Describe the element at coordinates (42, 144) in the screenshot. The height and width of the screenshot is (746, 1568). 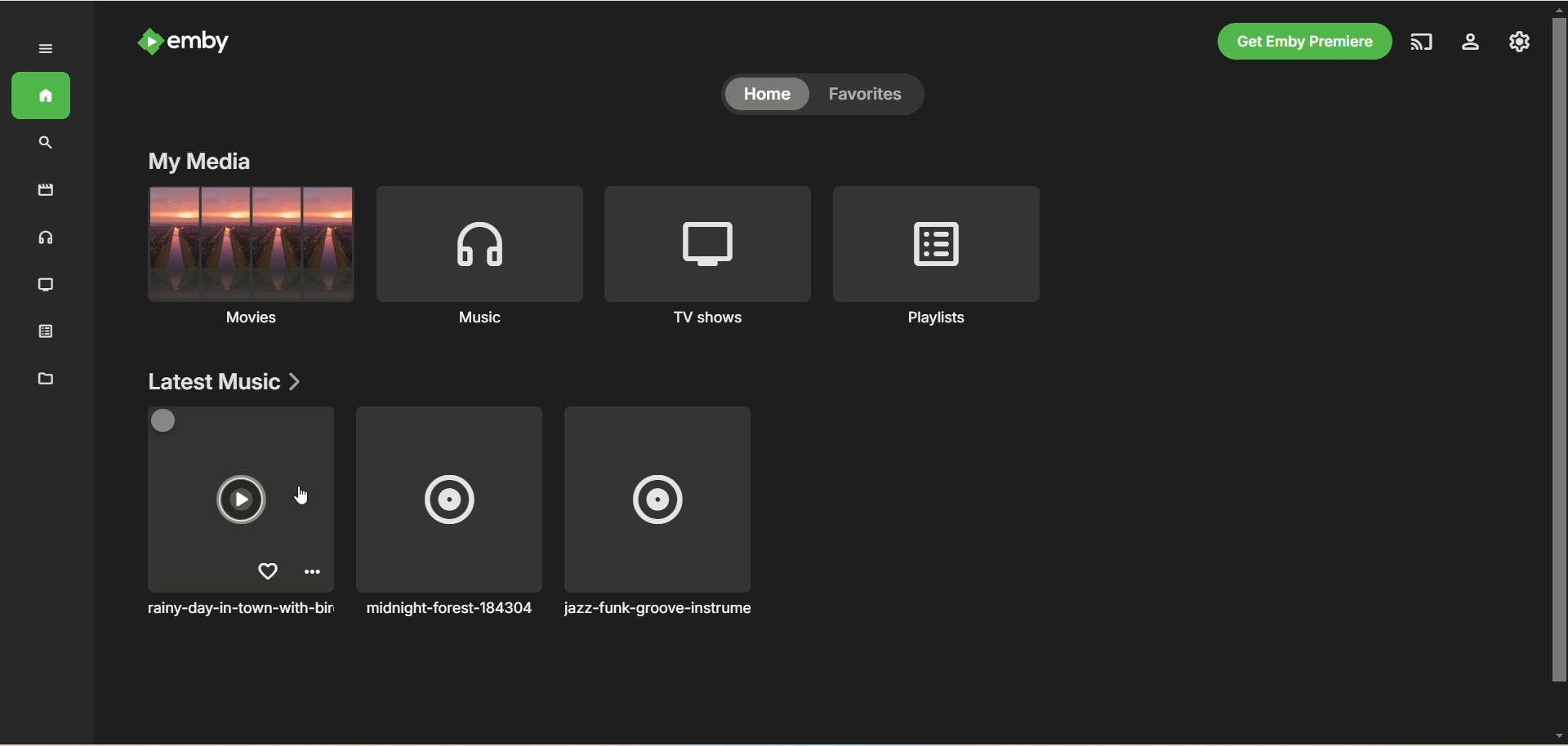
I see `search` at that location.